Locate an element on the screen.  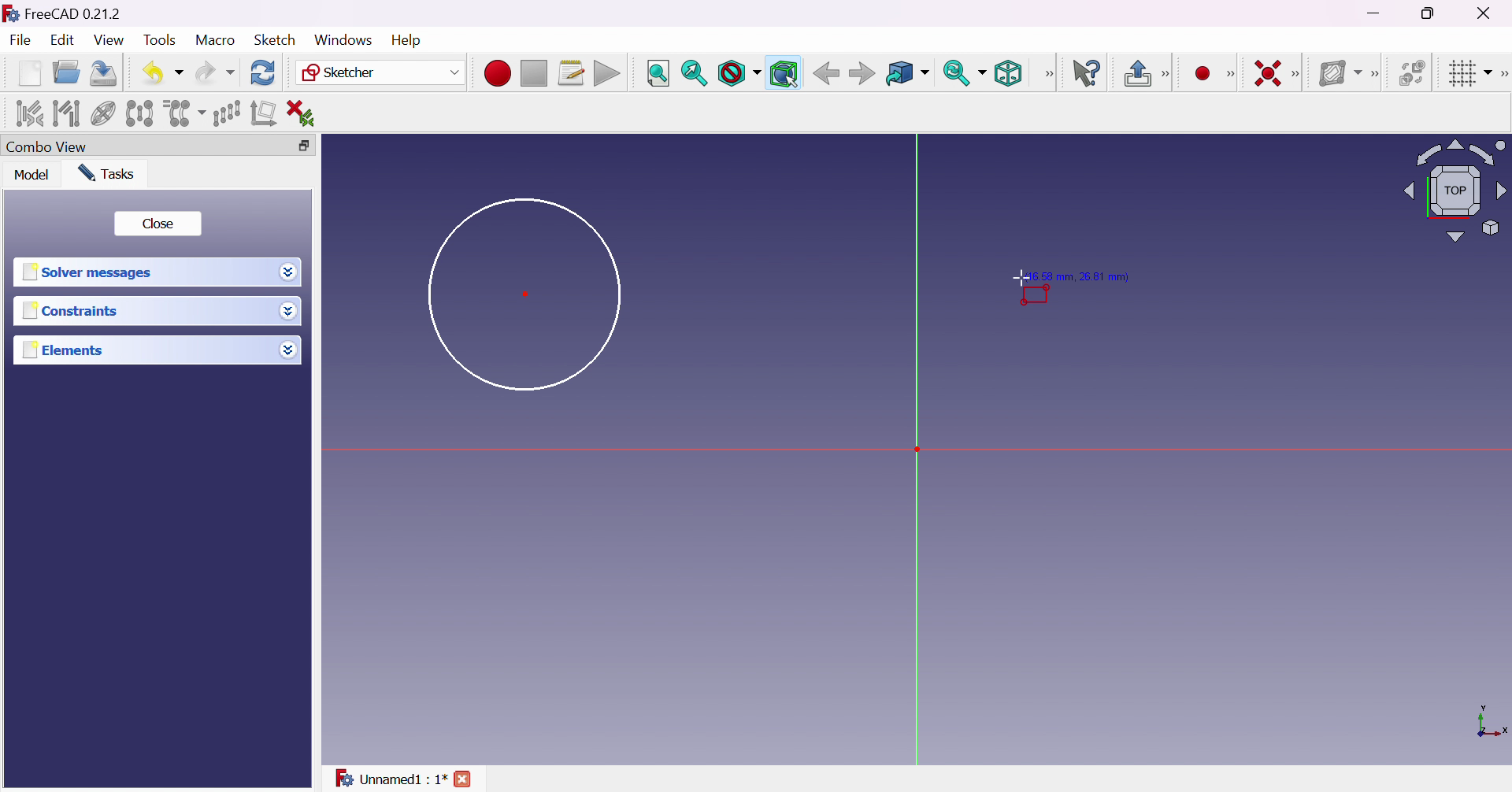
Save is located at coordinates (101, 72).